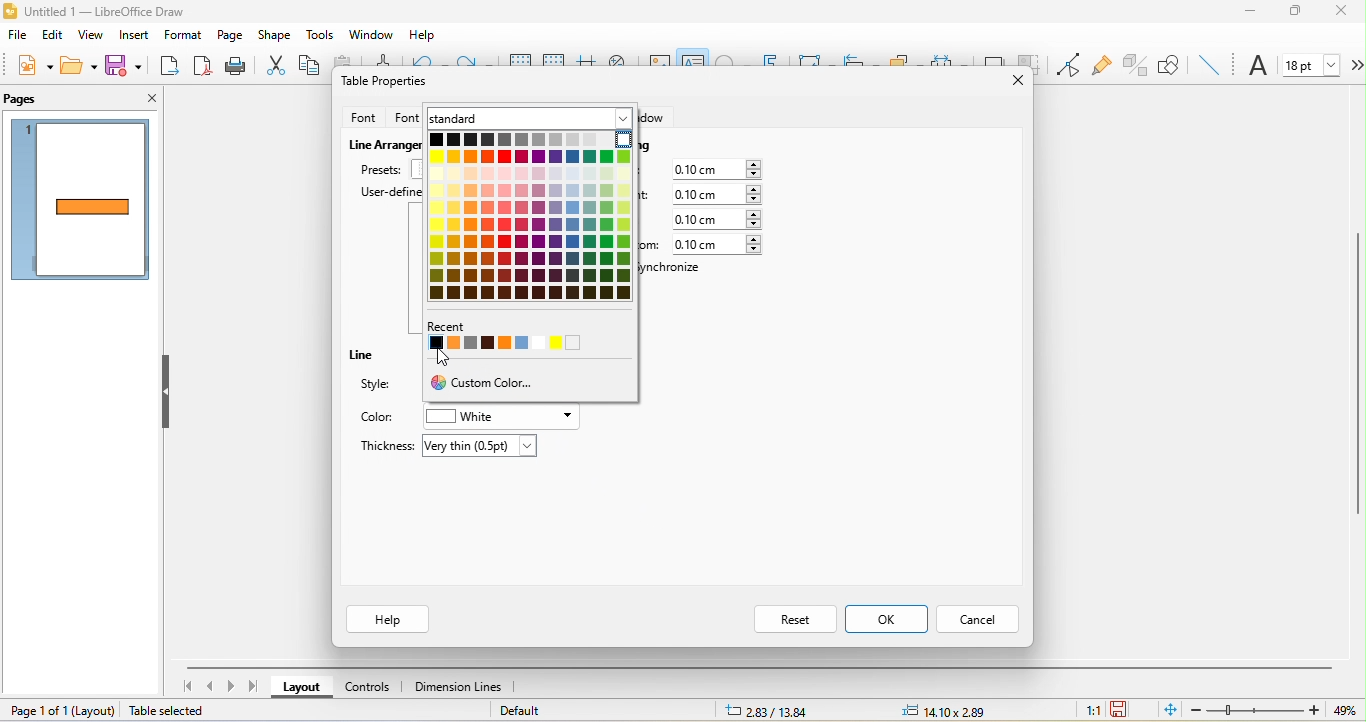  What do you see at coordinates (947, 709) in the screenshot?
I see `14.10x2.89` at bounding box center [947, 709].